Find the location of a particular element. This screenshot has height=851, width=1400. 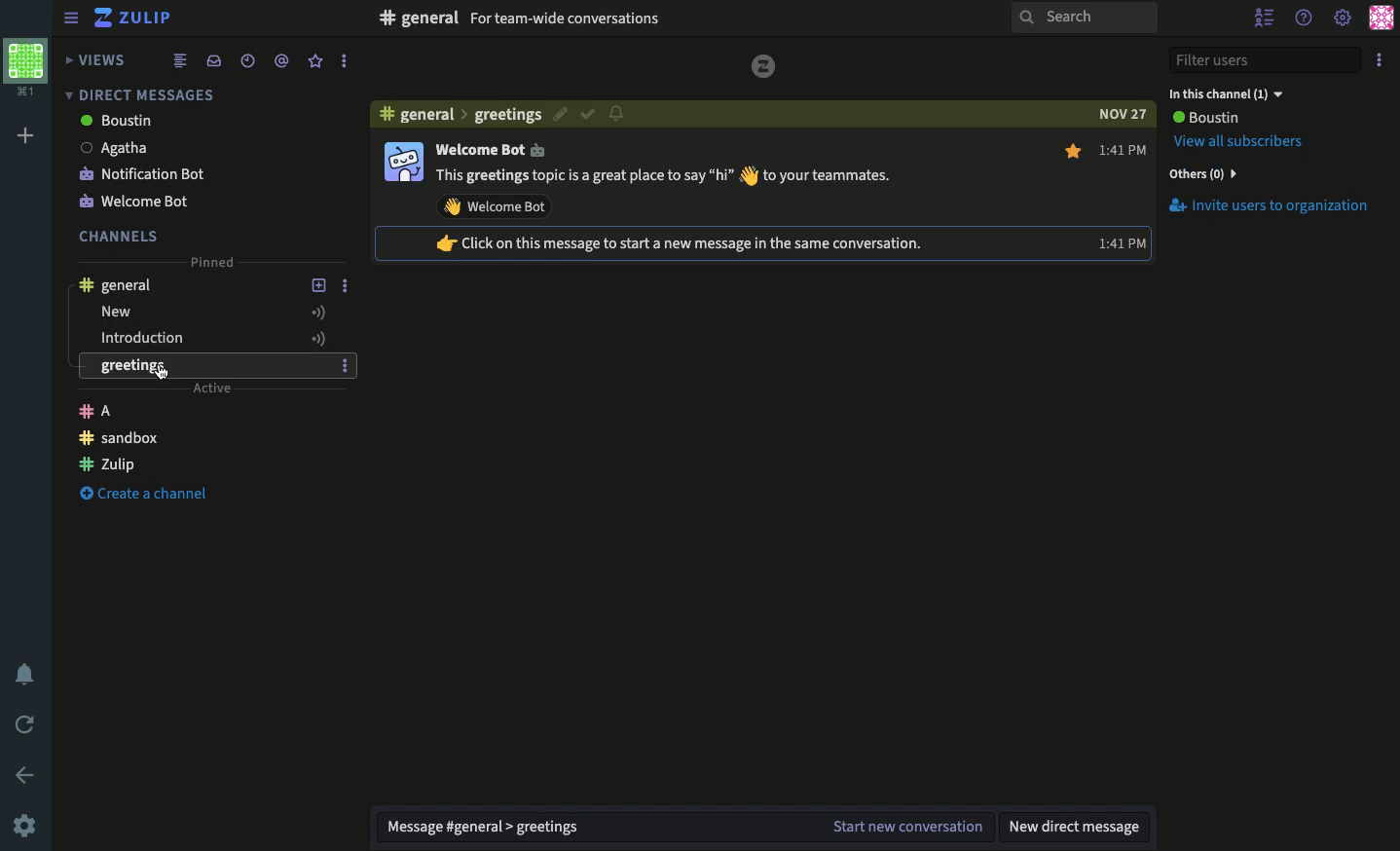

Display picture is located at coordinates (404, 162).